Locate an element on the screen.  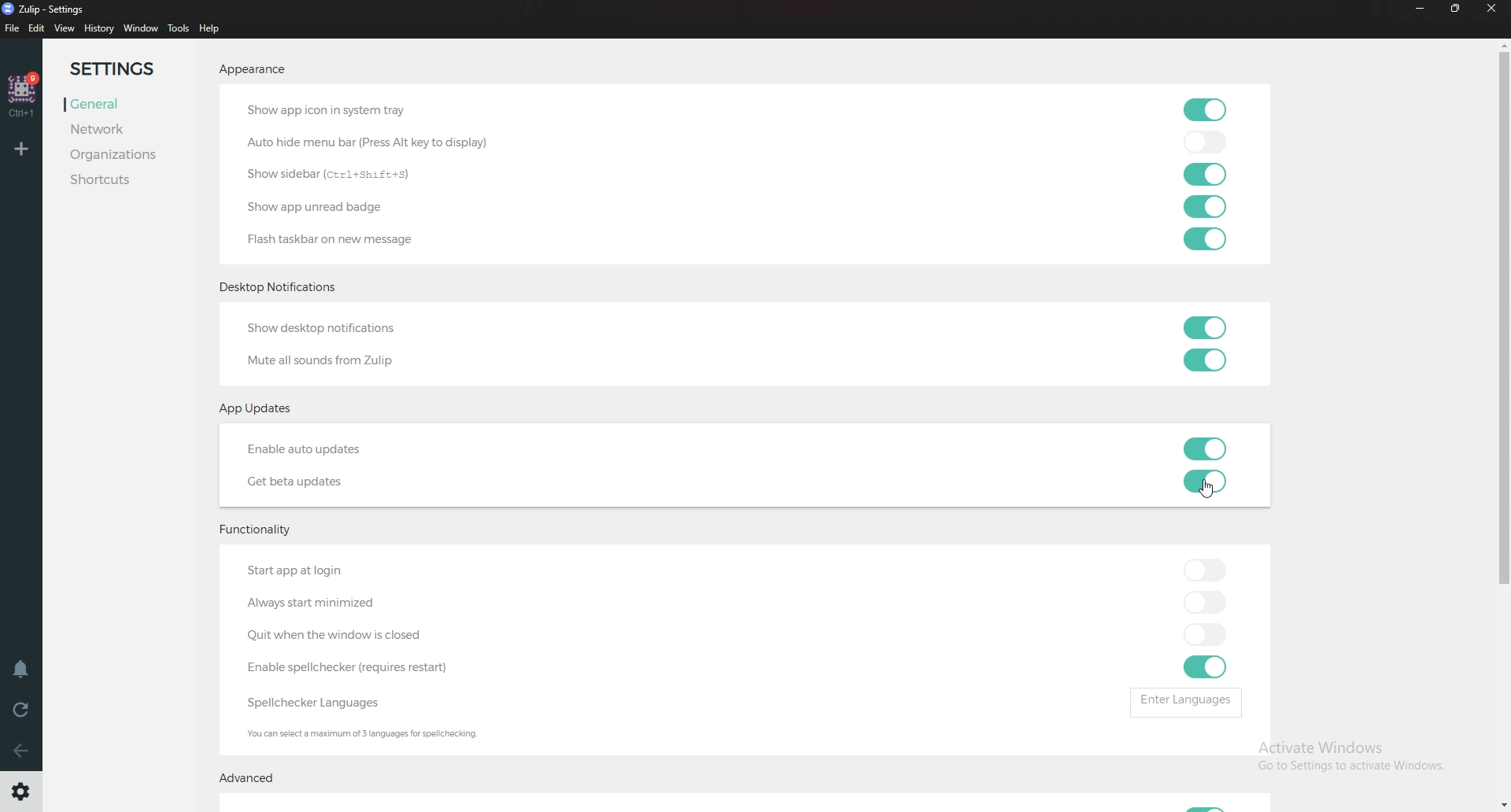
Always start minimized is located at coordinates (314, 603).